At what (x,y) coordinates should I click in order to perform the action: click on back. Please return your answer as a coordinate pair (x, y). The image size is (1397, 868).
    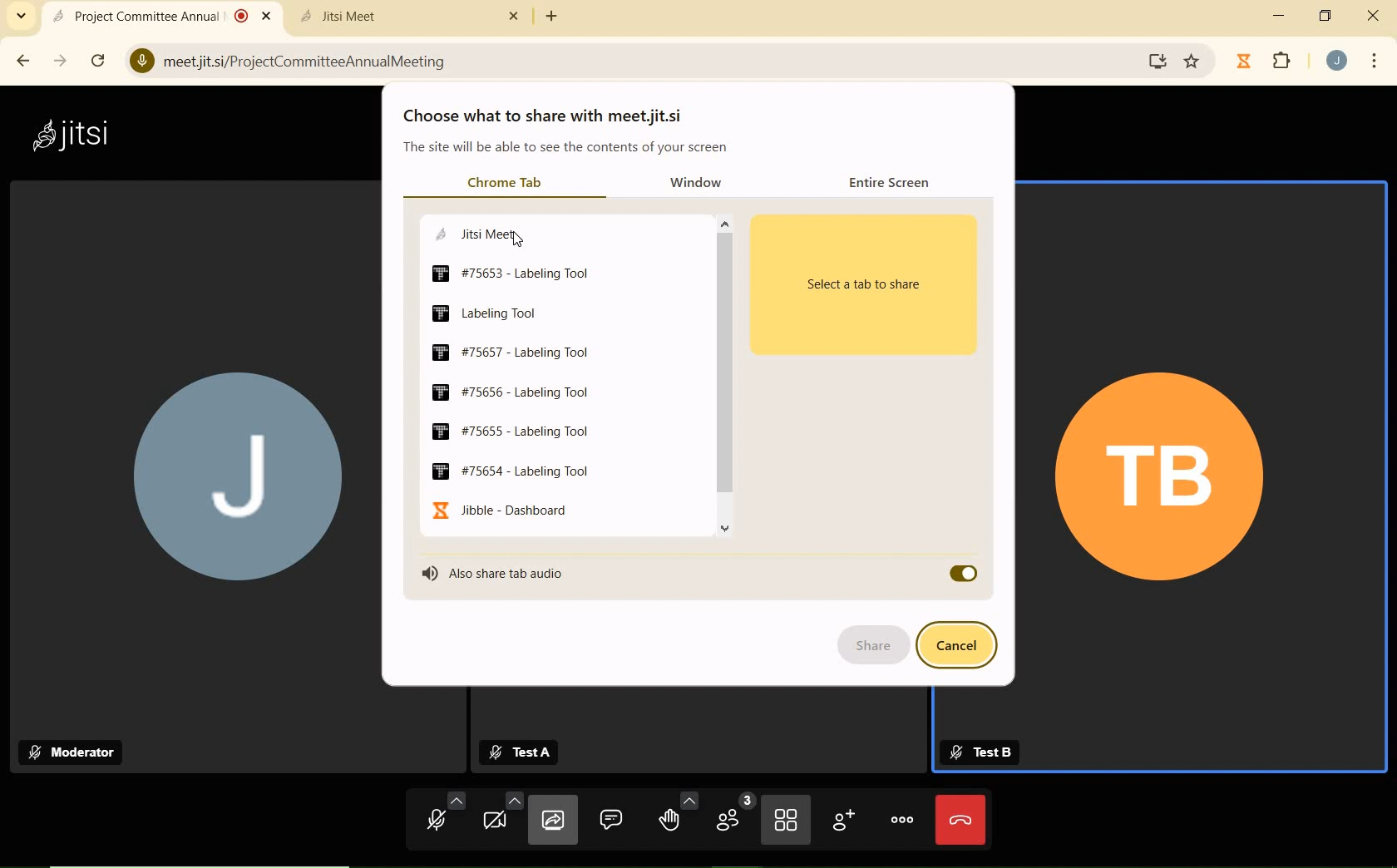
    Looking at the image, I should click on (26, 61).